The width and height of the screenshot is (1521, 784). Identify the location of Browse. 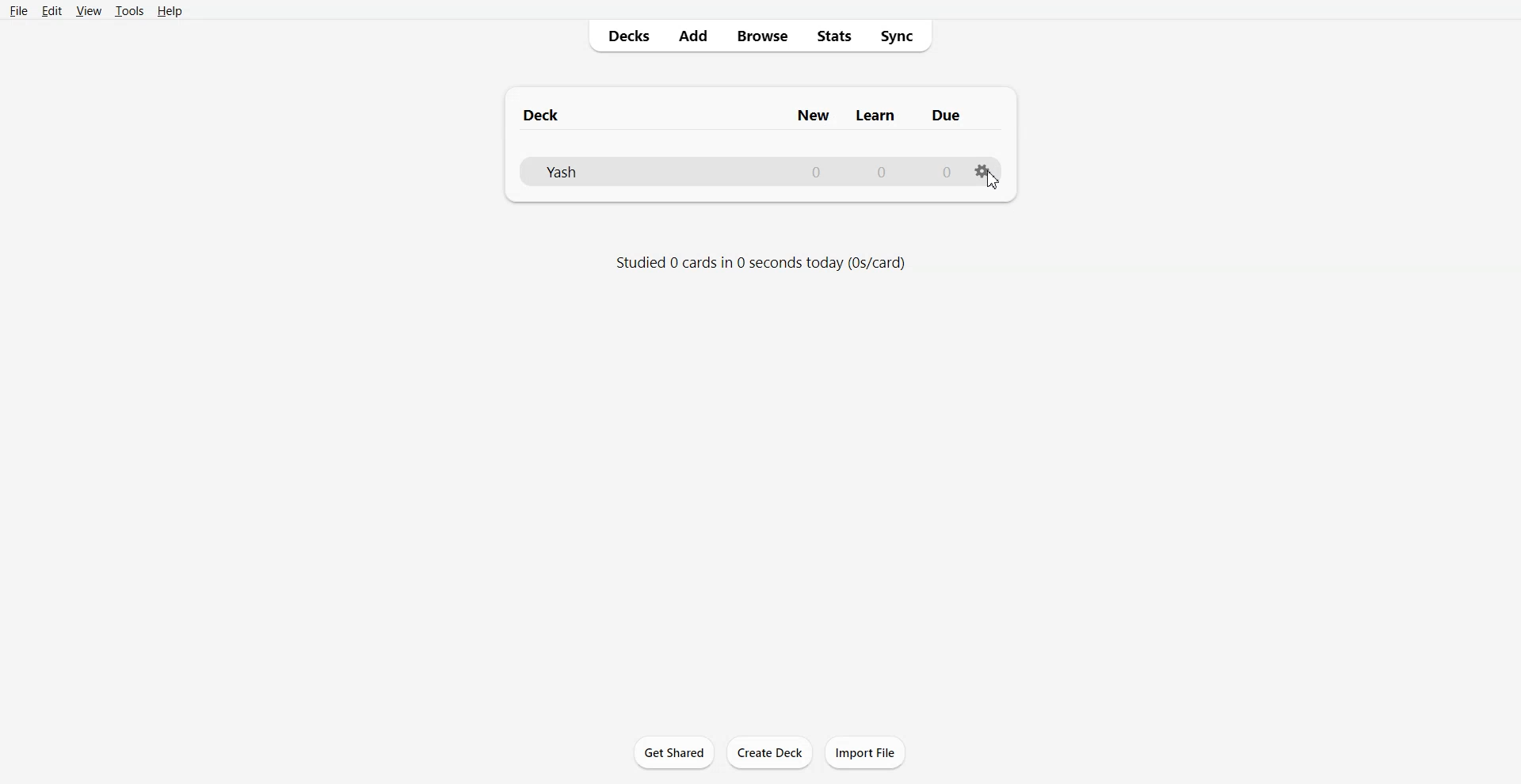
(760, 36).